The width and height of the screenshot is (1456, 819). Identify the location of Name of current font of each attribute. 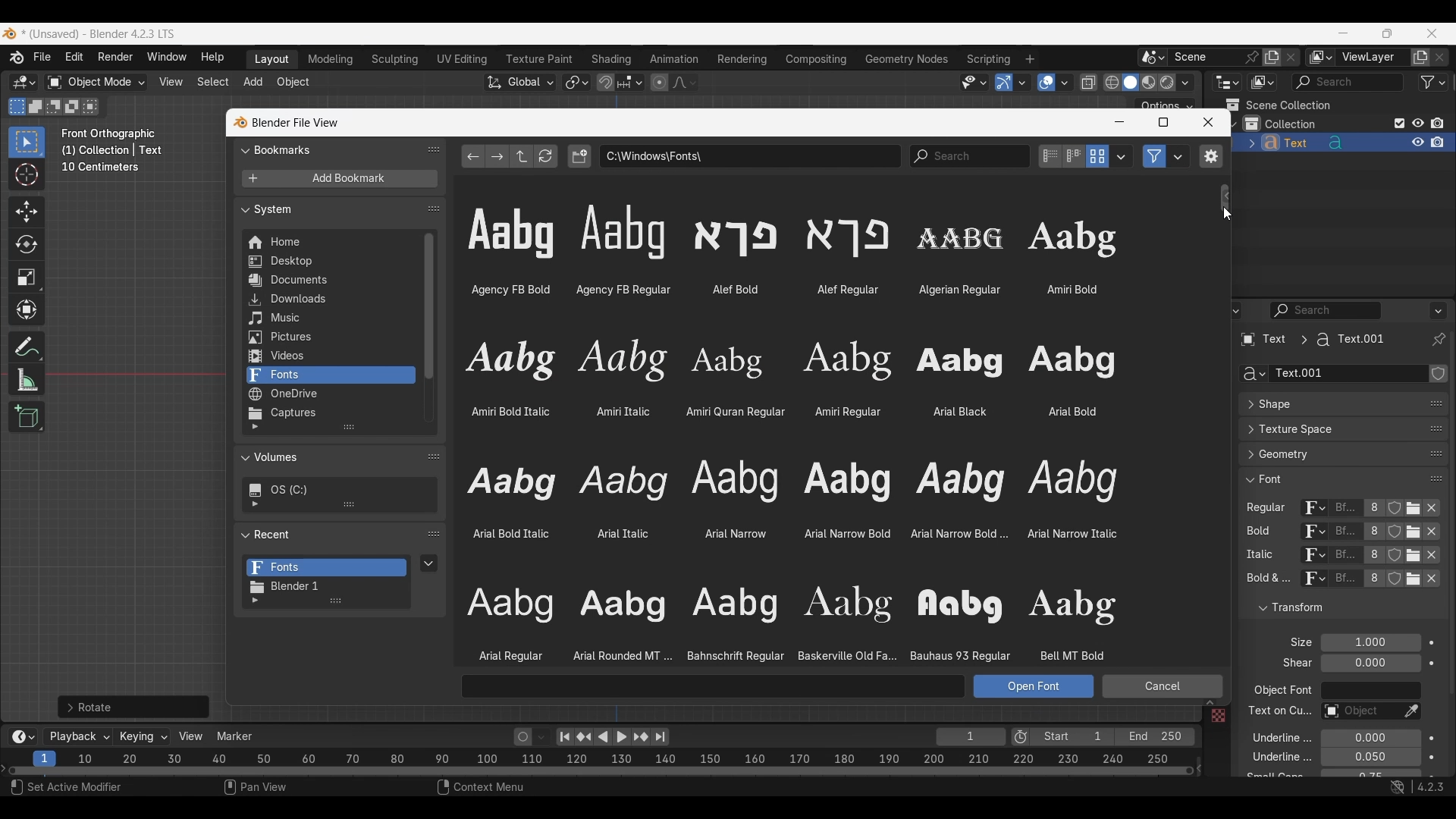
(1345, 510).